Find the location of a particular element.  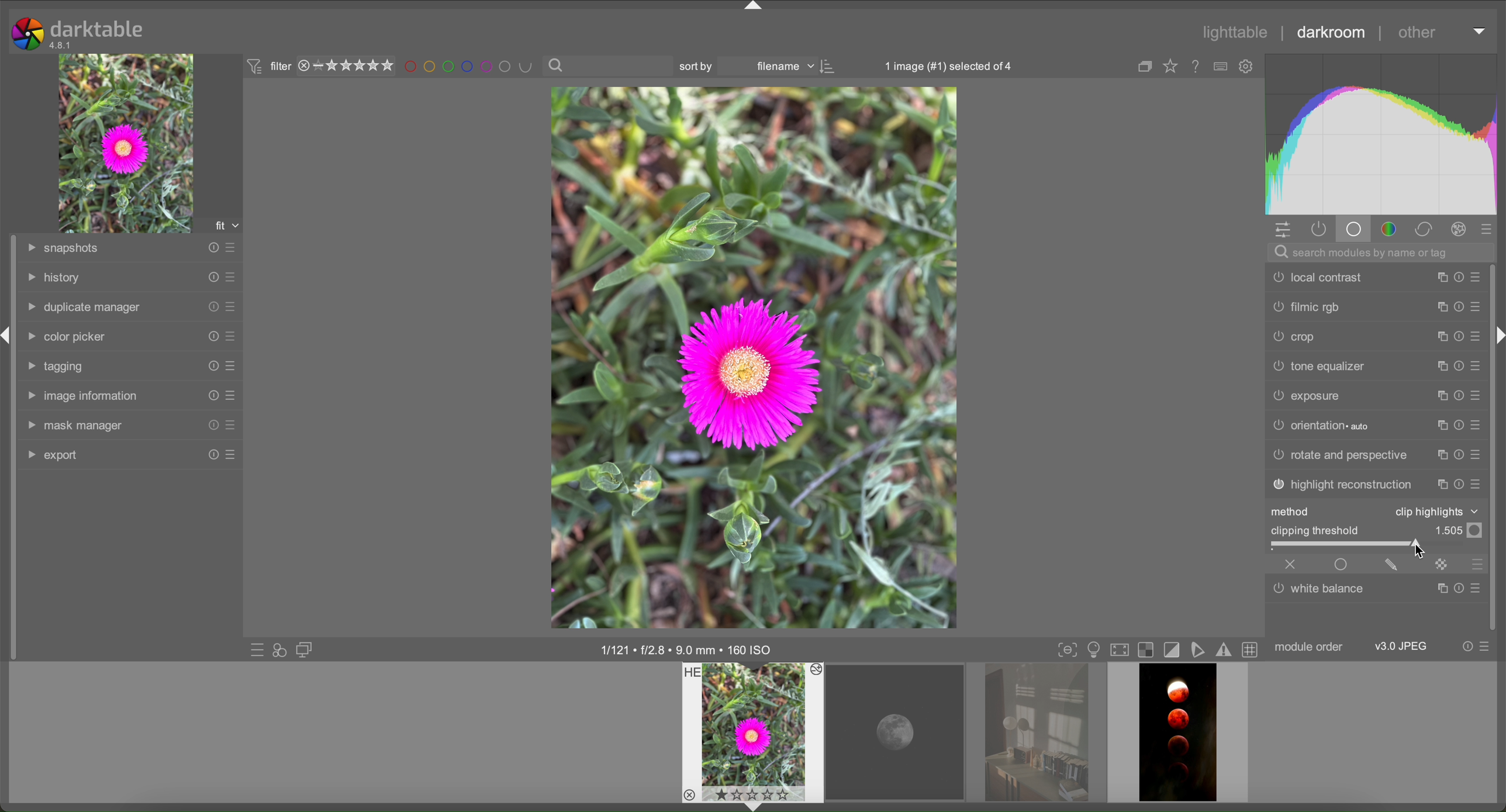

reset presets is located at coordinates (1456, 278).